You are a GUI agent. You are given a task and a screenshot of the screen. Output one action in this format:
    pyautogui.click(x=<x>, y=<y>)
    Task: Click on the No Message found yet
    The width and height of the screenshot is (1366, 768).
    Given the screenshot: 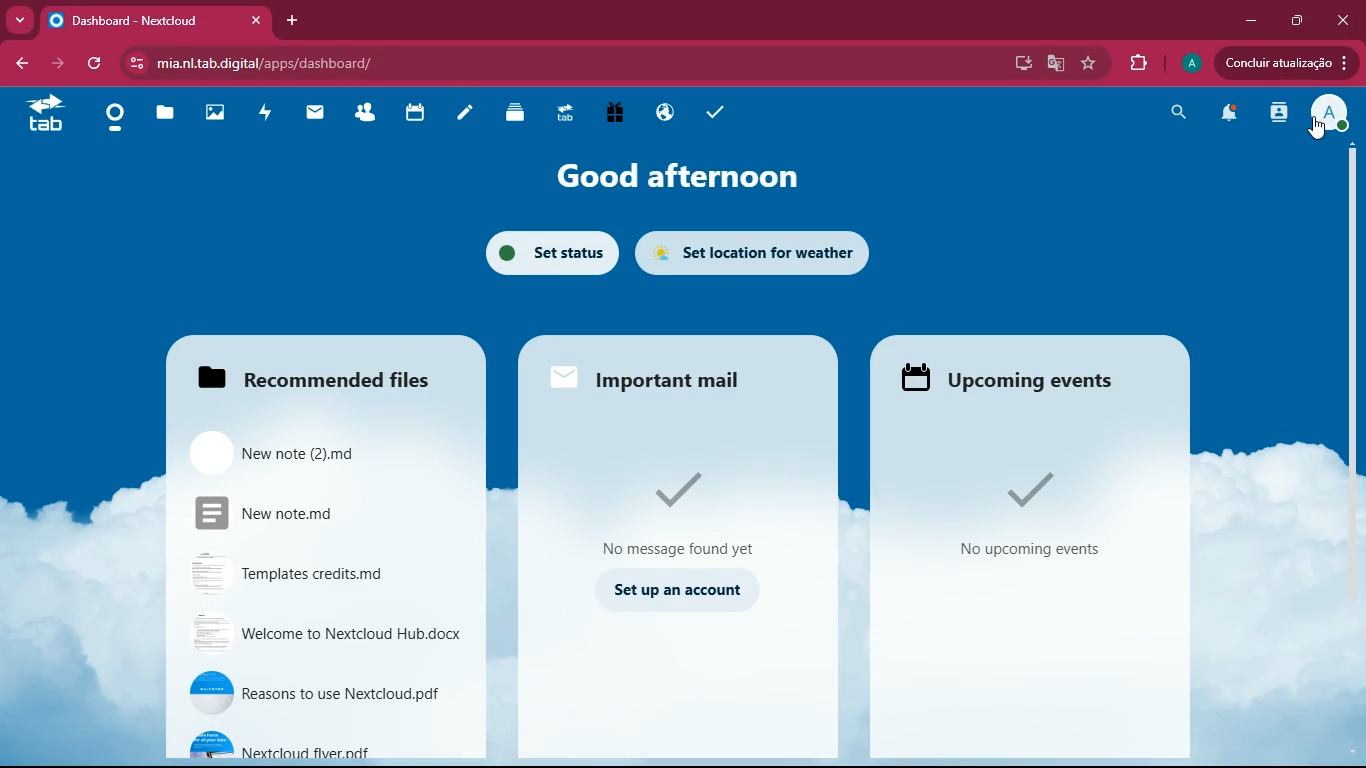 What is the action you would take?
    pyautogui.click(x=680, y=509)
    